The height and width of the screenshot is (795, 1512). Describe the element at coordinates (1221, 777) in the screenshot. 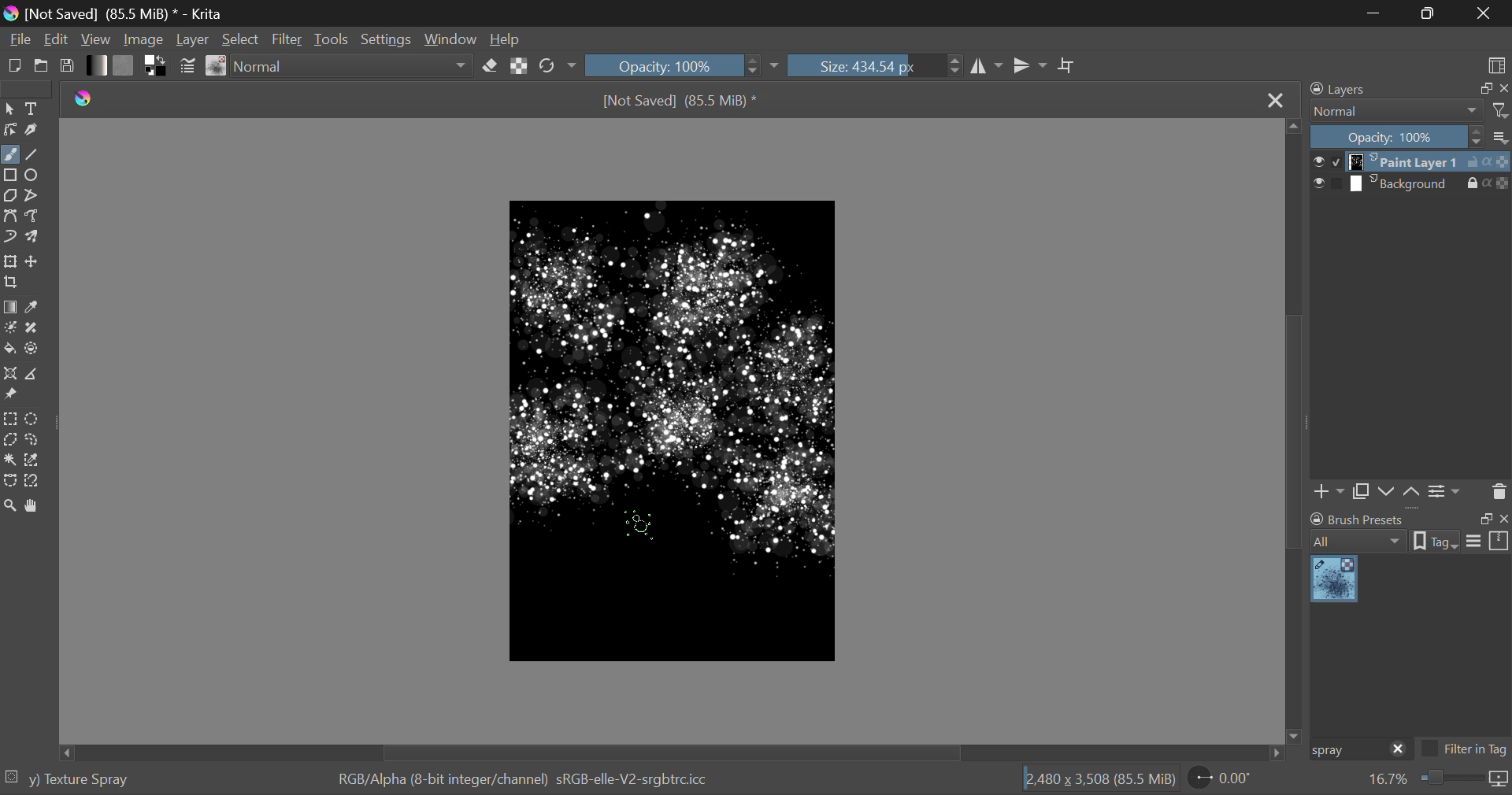

I see `page rotation` at that location.